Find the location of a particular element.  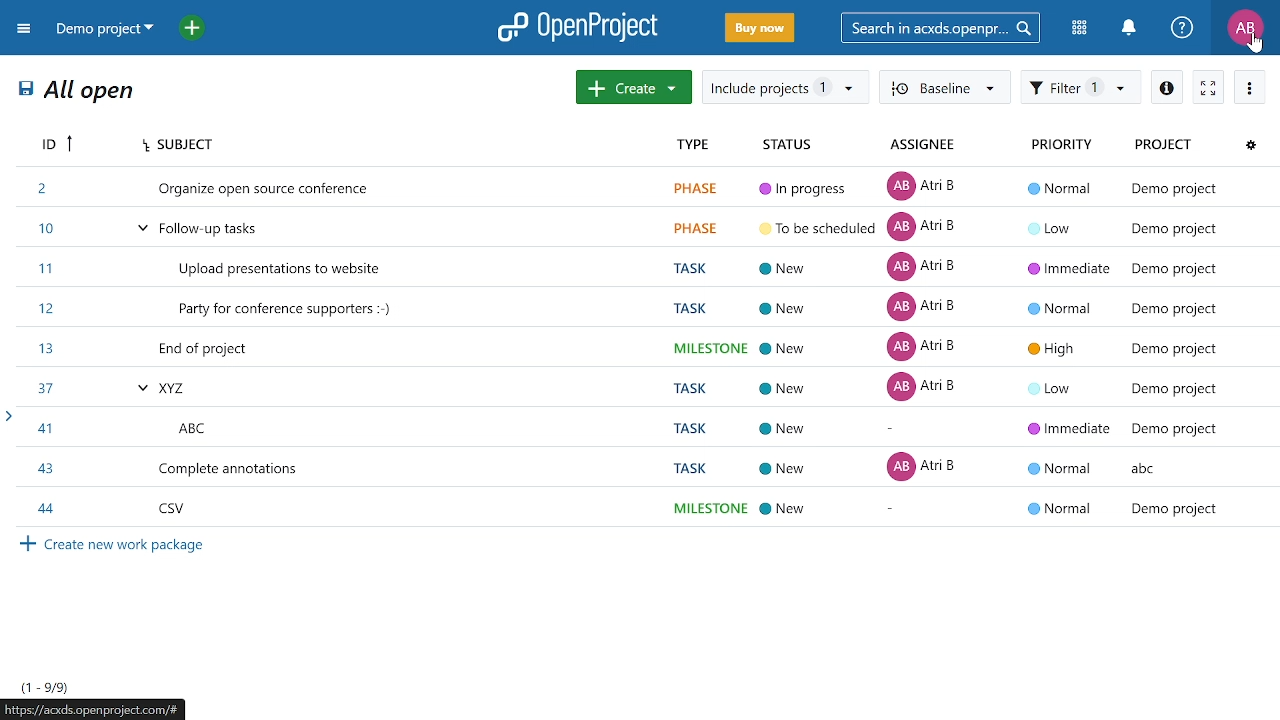

info is located at coordinates (1168, 86).